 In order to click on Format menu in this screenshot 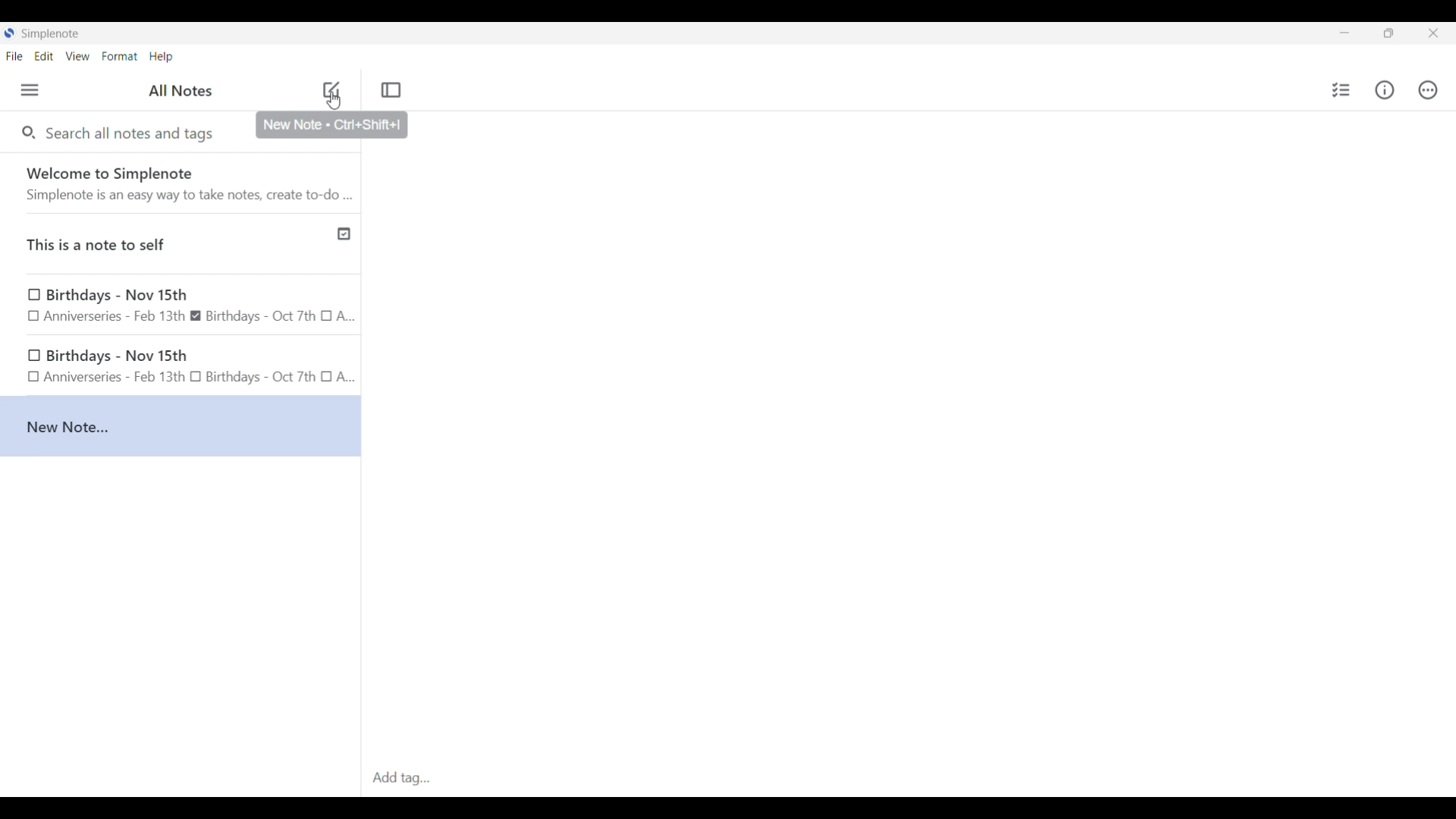, I will do `click(120, 56)`.